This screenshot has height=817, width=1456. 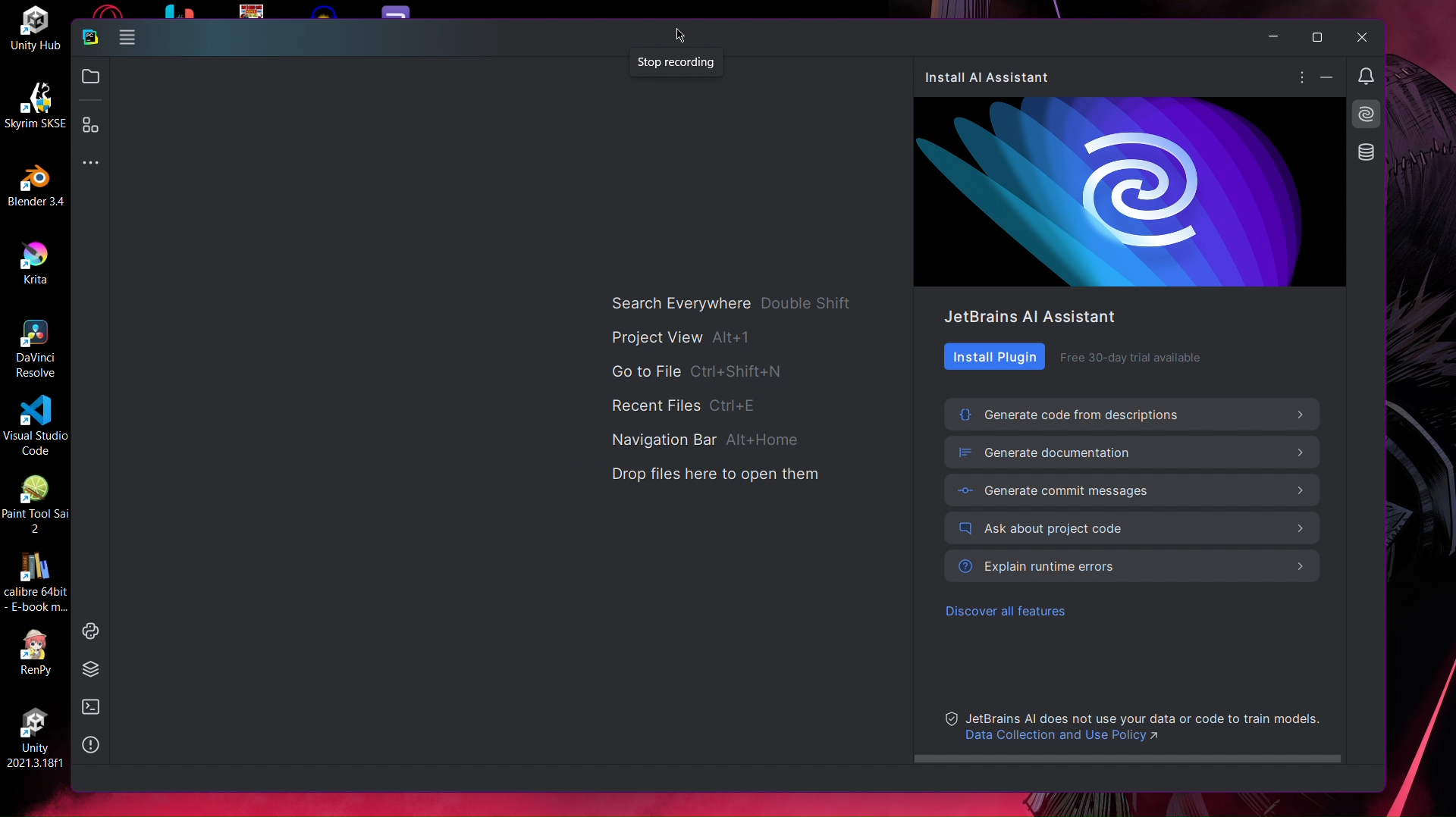 What do you see at coordinates (1134, 529) in the screenshot?
I see `Ask about project code` at bounding box center [1134, 529].